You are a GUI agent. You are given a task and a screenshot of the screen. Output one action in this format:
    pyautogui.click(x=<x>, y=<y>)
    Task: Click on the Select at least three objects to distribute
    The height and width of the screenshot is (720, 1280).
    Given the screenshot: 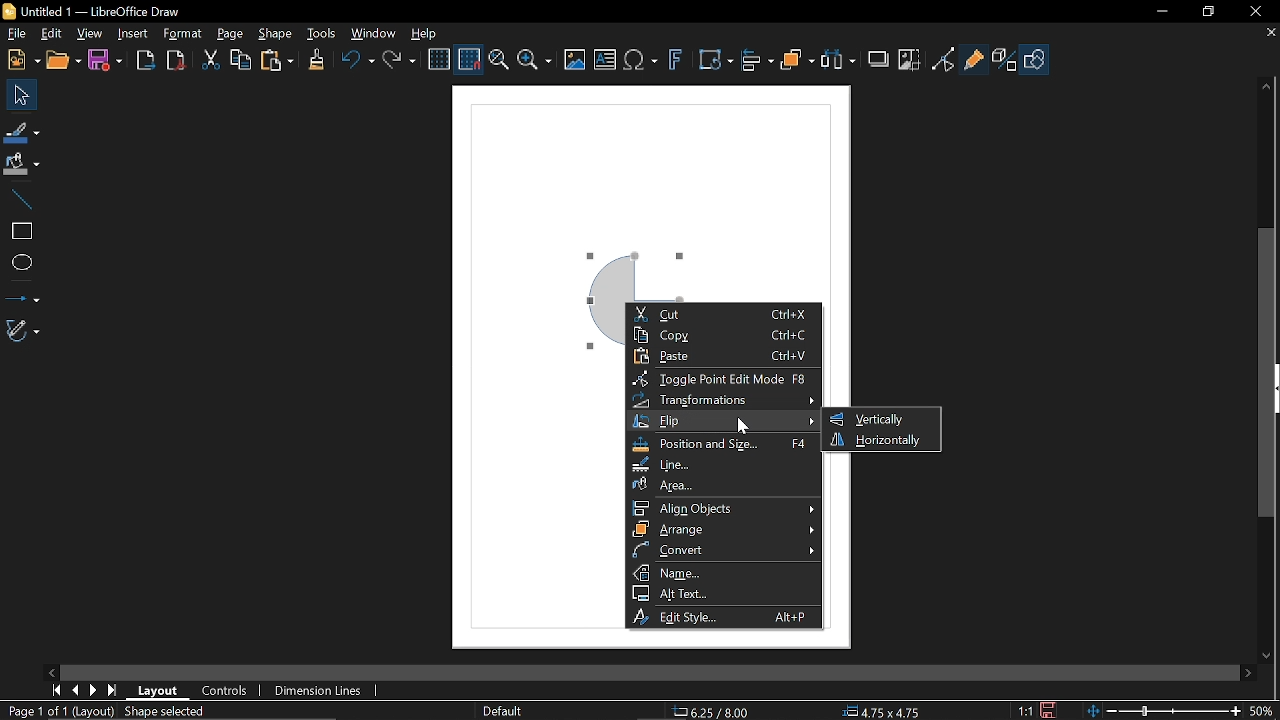 What is the action you would take?
    pyautogui.click(x=839, y=61)
    